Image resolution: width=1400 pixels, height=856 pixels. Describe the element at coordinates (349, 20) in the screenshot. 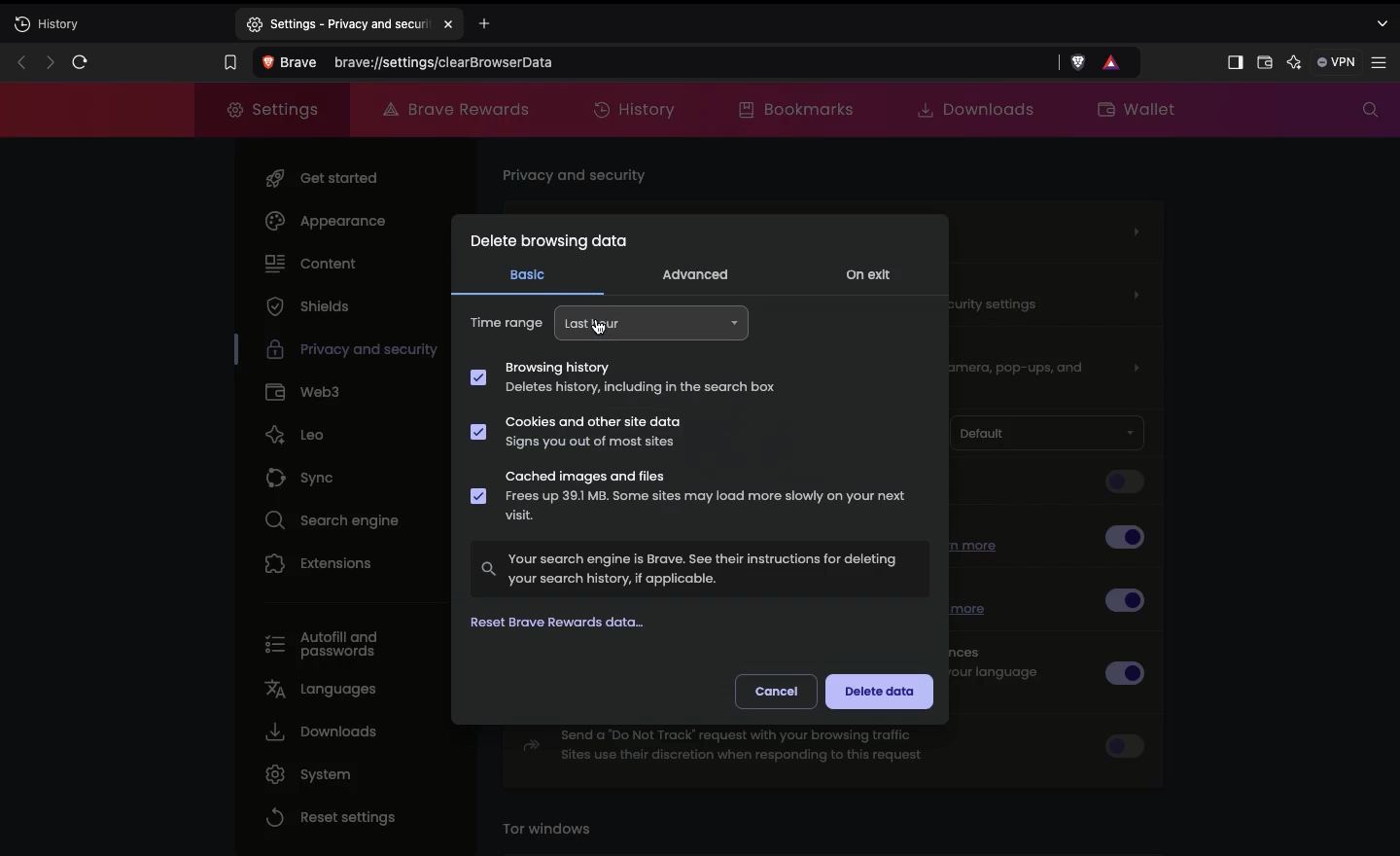

I see `settings-privacy and security` at that location.